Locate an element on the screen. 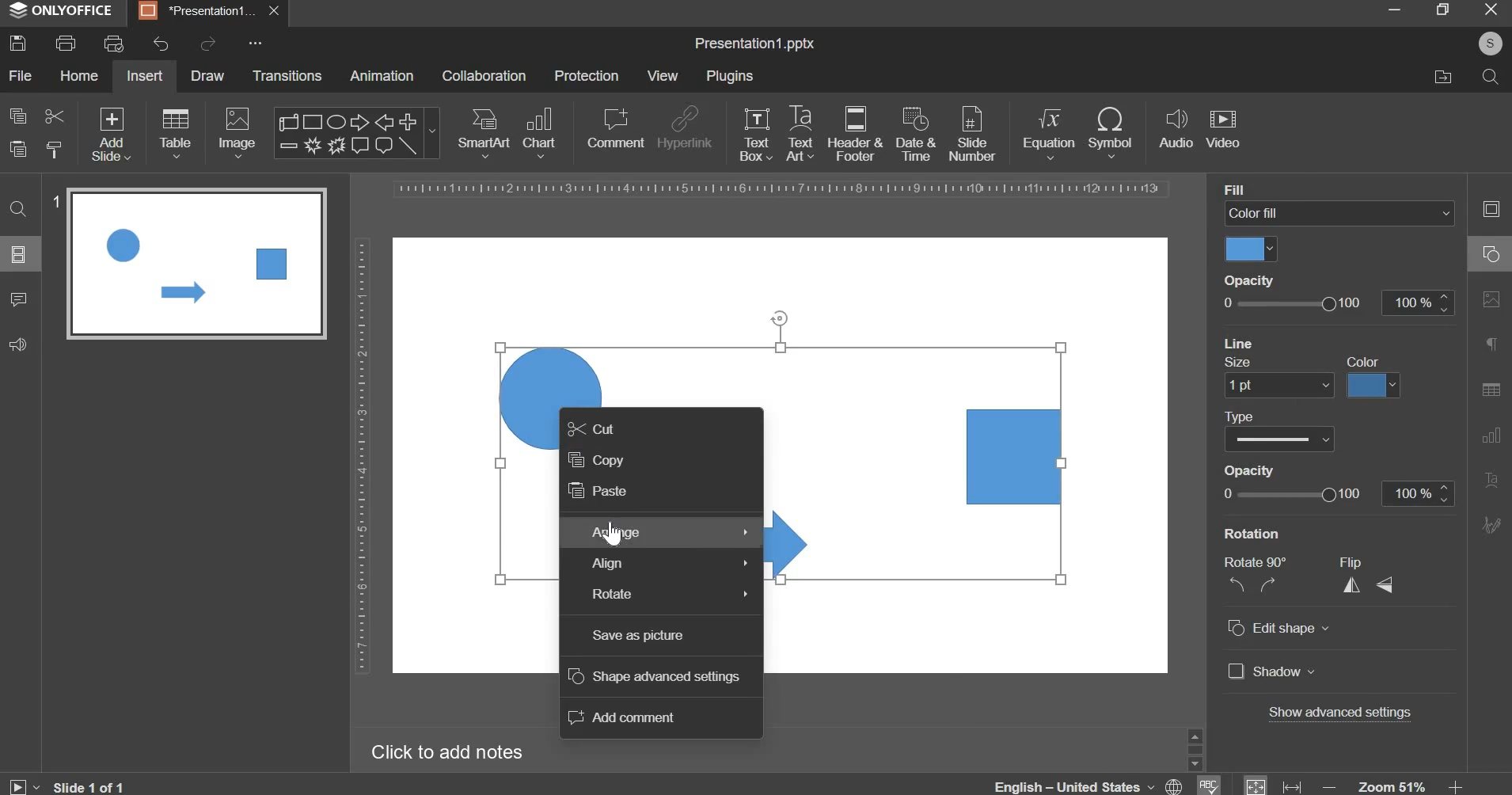  color fill is located at coordinates (1252, 251).